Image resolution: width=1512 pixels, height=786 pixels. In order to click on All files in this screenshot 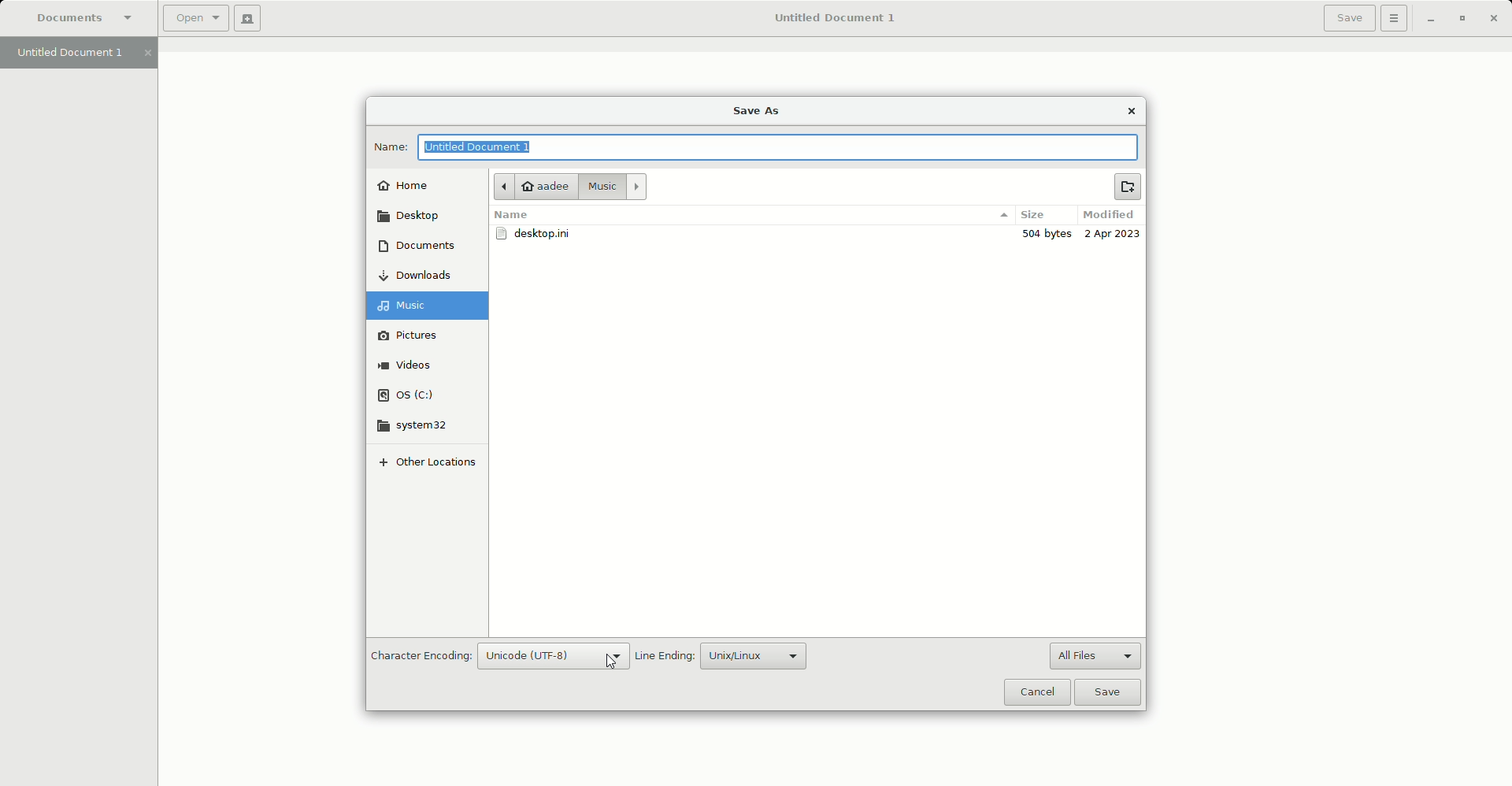, I will do `click(1092, 654)`.